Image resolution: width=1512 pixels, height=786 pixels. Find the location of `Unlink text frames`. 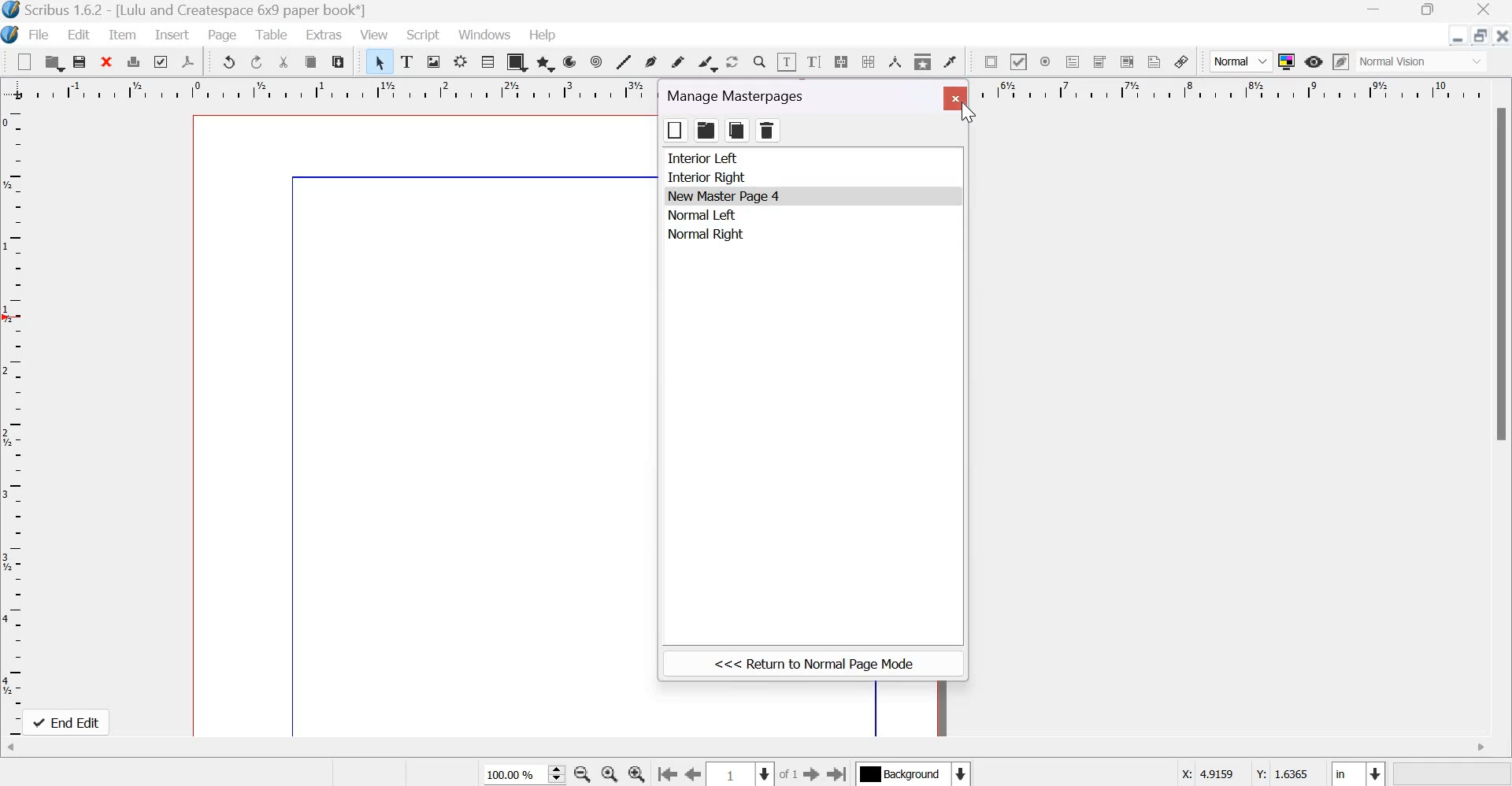

Unlink text frames is located at coordinates (868, 61).